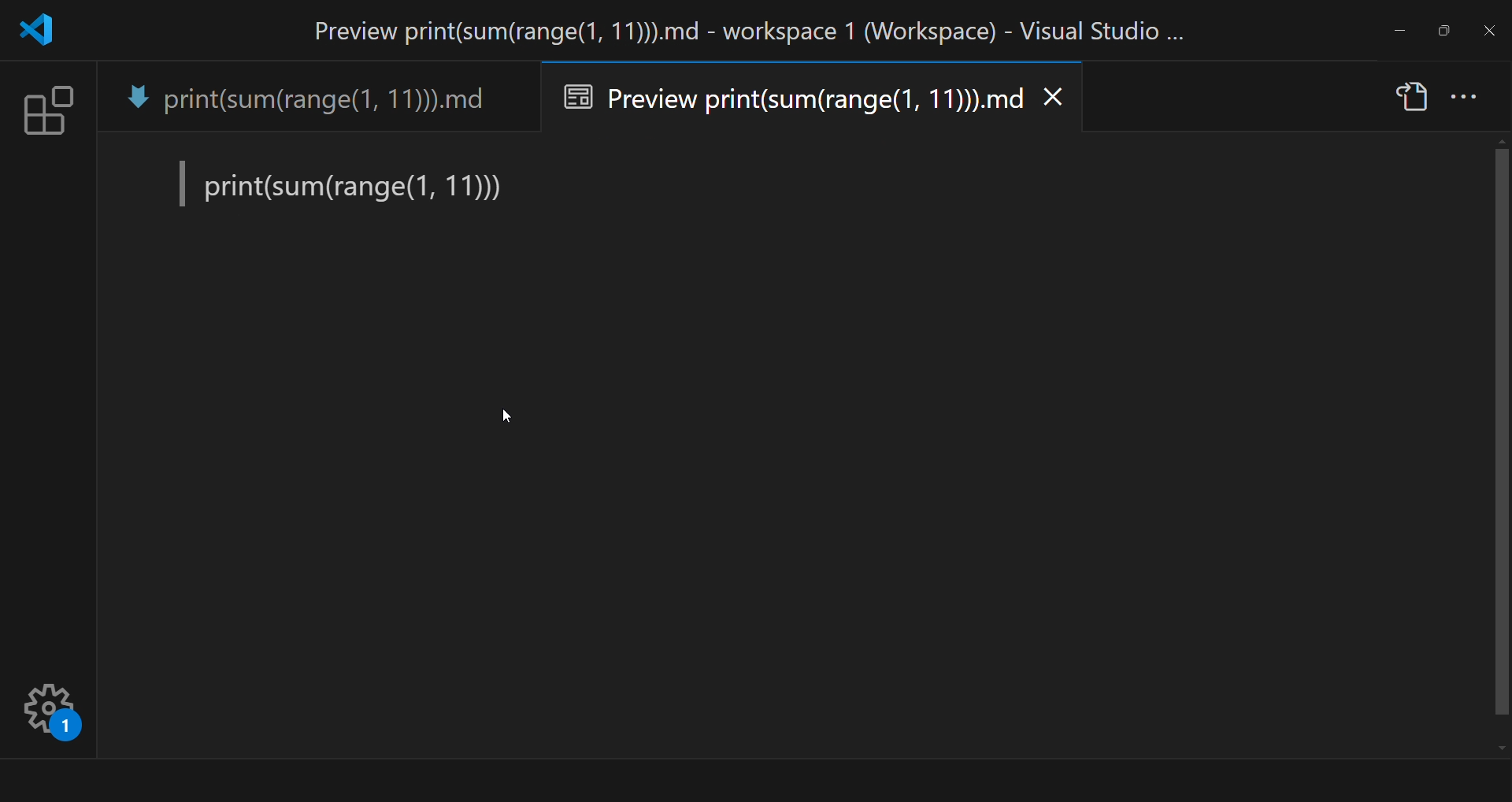 The height and width of the screenshot is (802, 1512). Describe the element at coordinates (302, 95) in the screenshot. I see `tab name` at that location.